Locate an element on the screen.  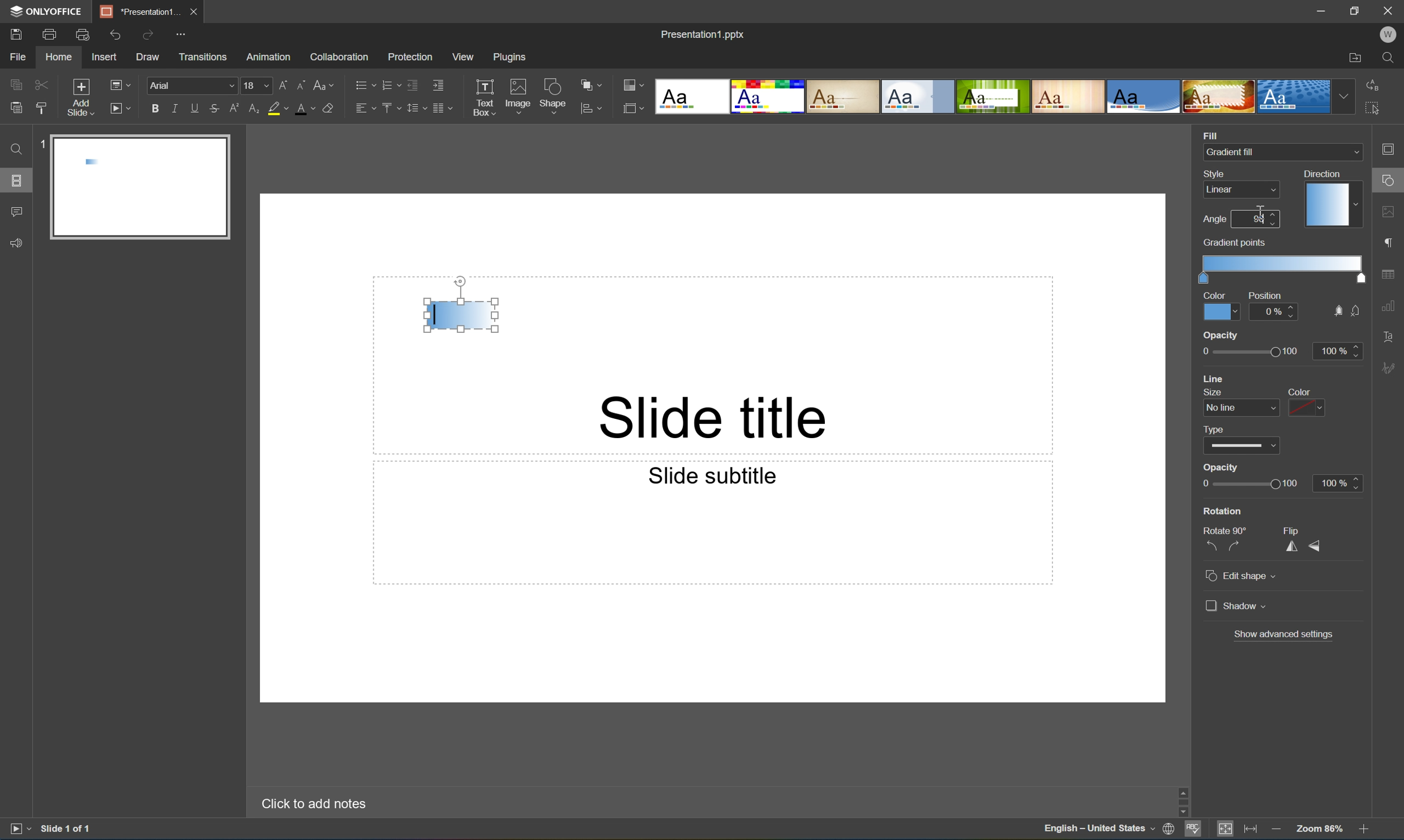
Signature settings is located at coordinates (1391, 367).